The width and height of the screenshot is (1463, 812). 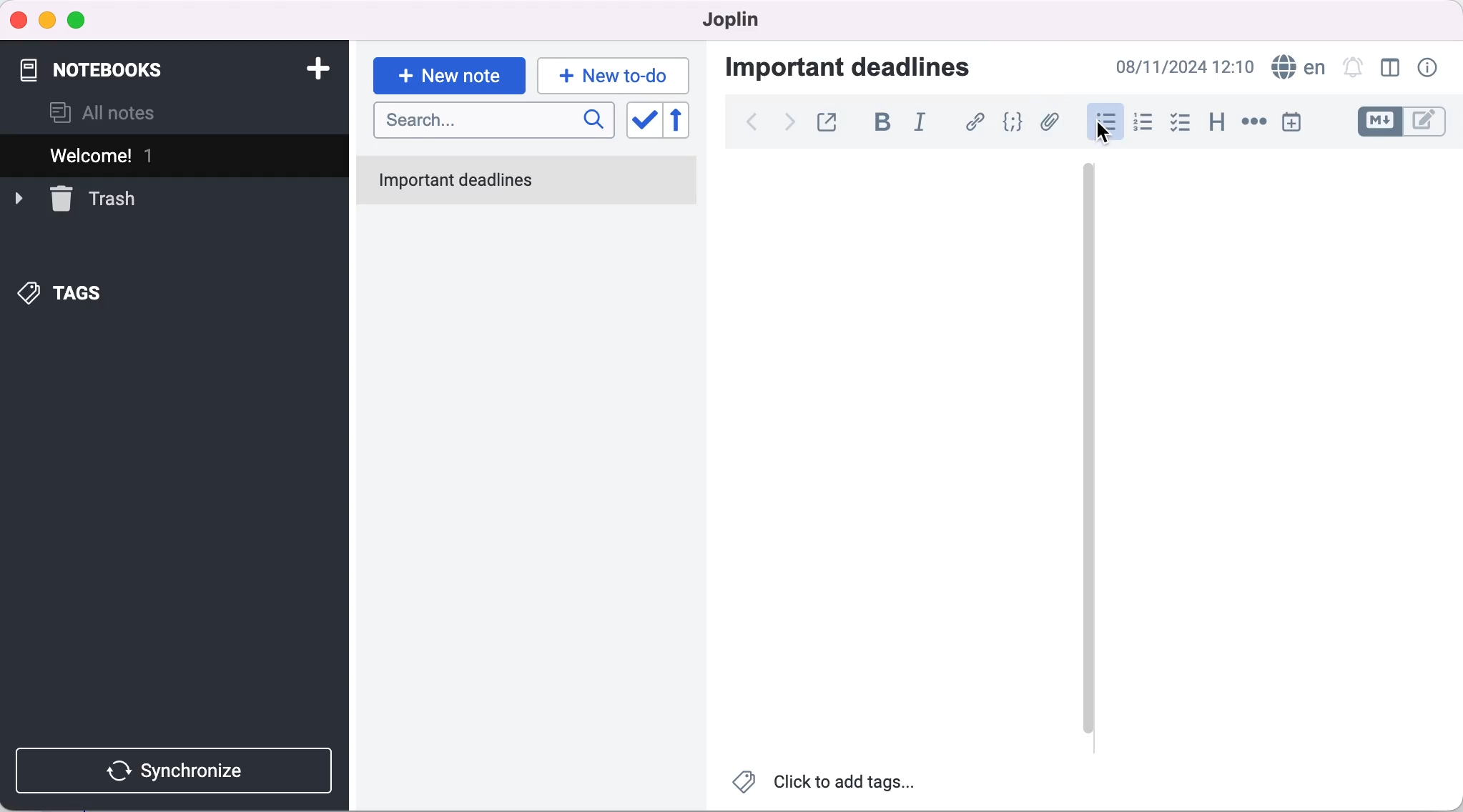 What do you see at coordinates (829, 784) in the screenshot?
I see `click to add tags` at bounding box center [829, 784].